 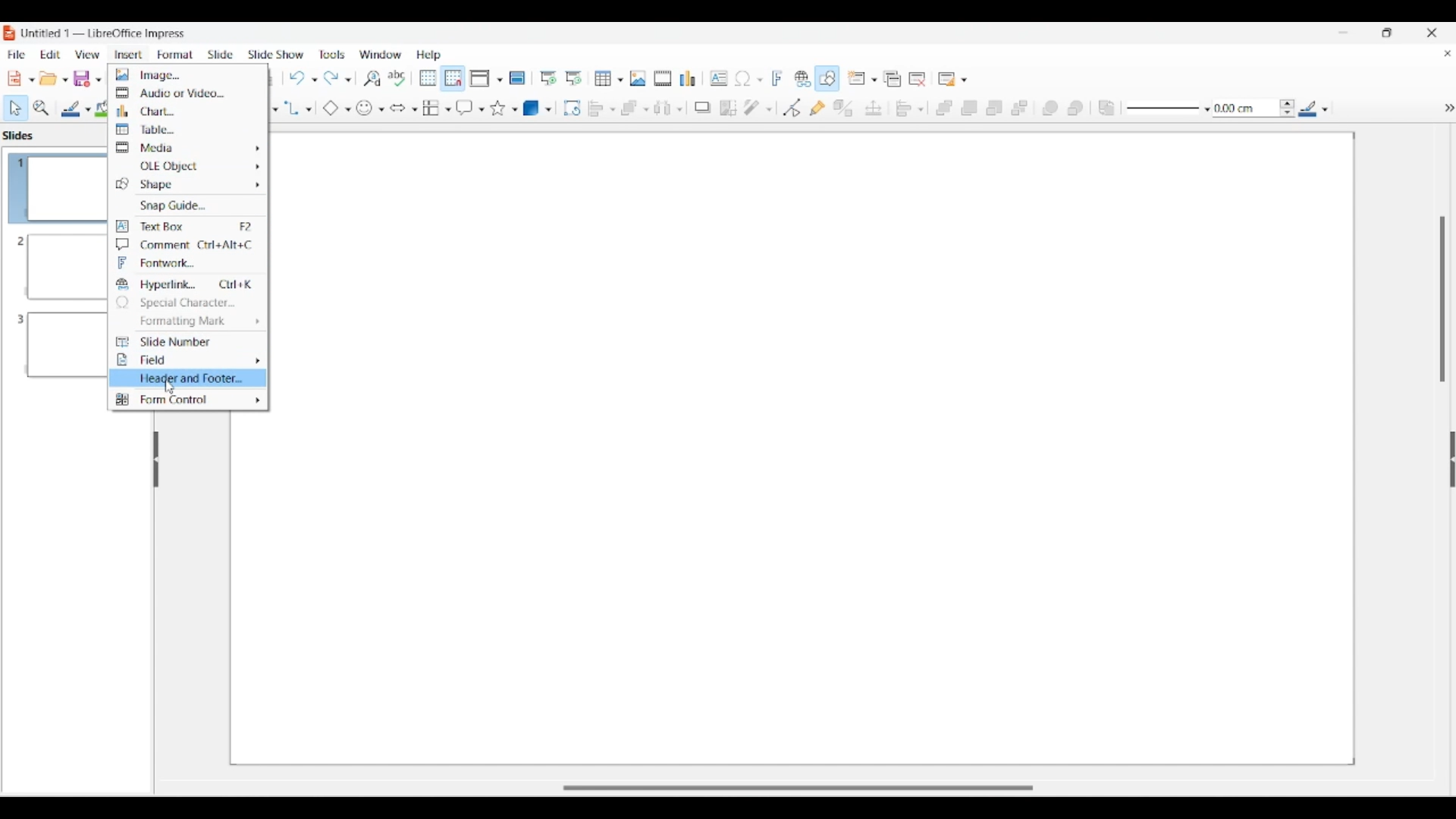 I want to click on Slide layout, so click(x=954, y=79).